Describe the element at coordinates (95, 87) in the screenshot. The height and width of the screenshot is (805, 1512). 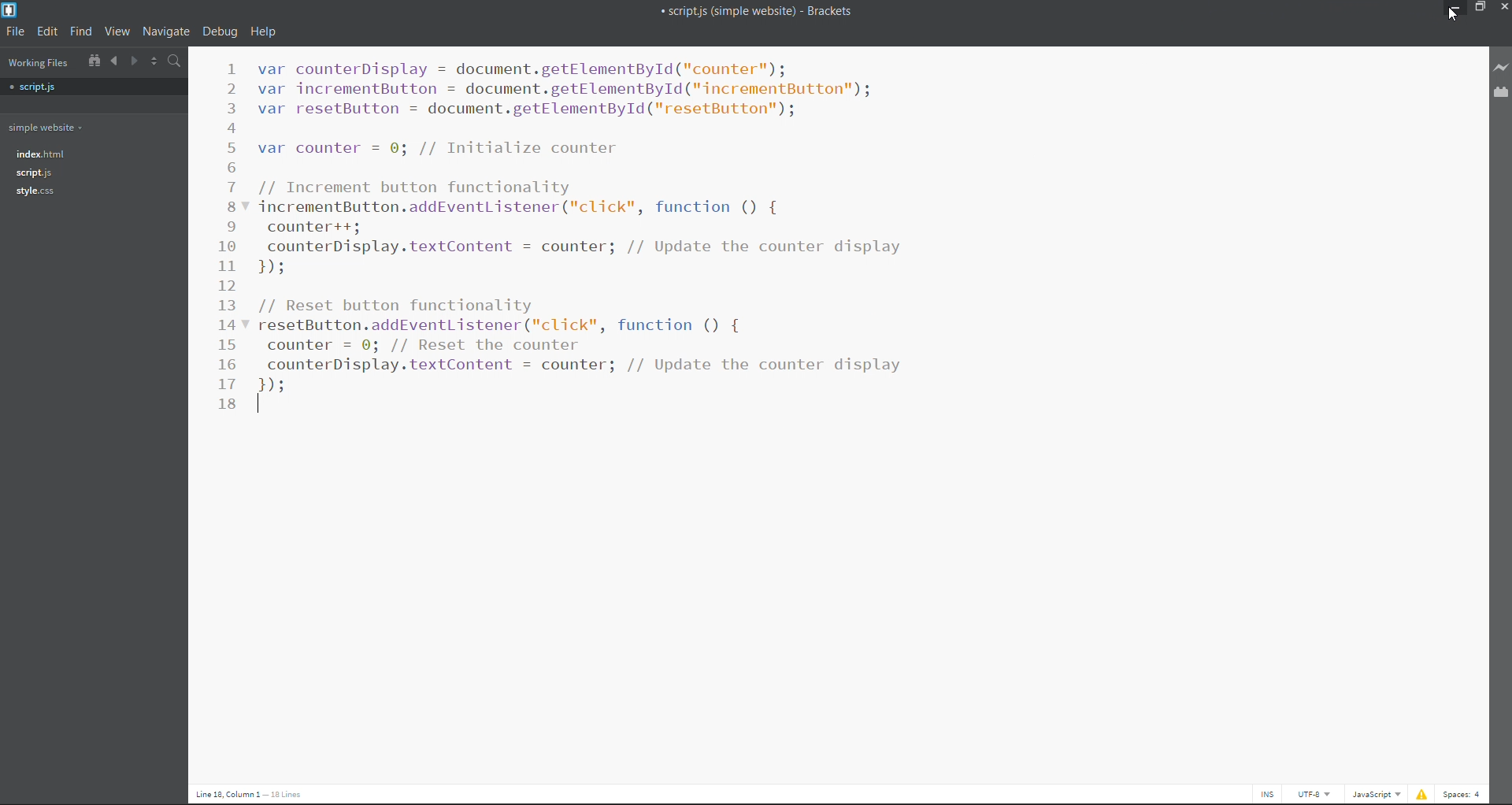
I see `script.js` at that location.